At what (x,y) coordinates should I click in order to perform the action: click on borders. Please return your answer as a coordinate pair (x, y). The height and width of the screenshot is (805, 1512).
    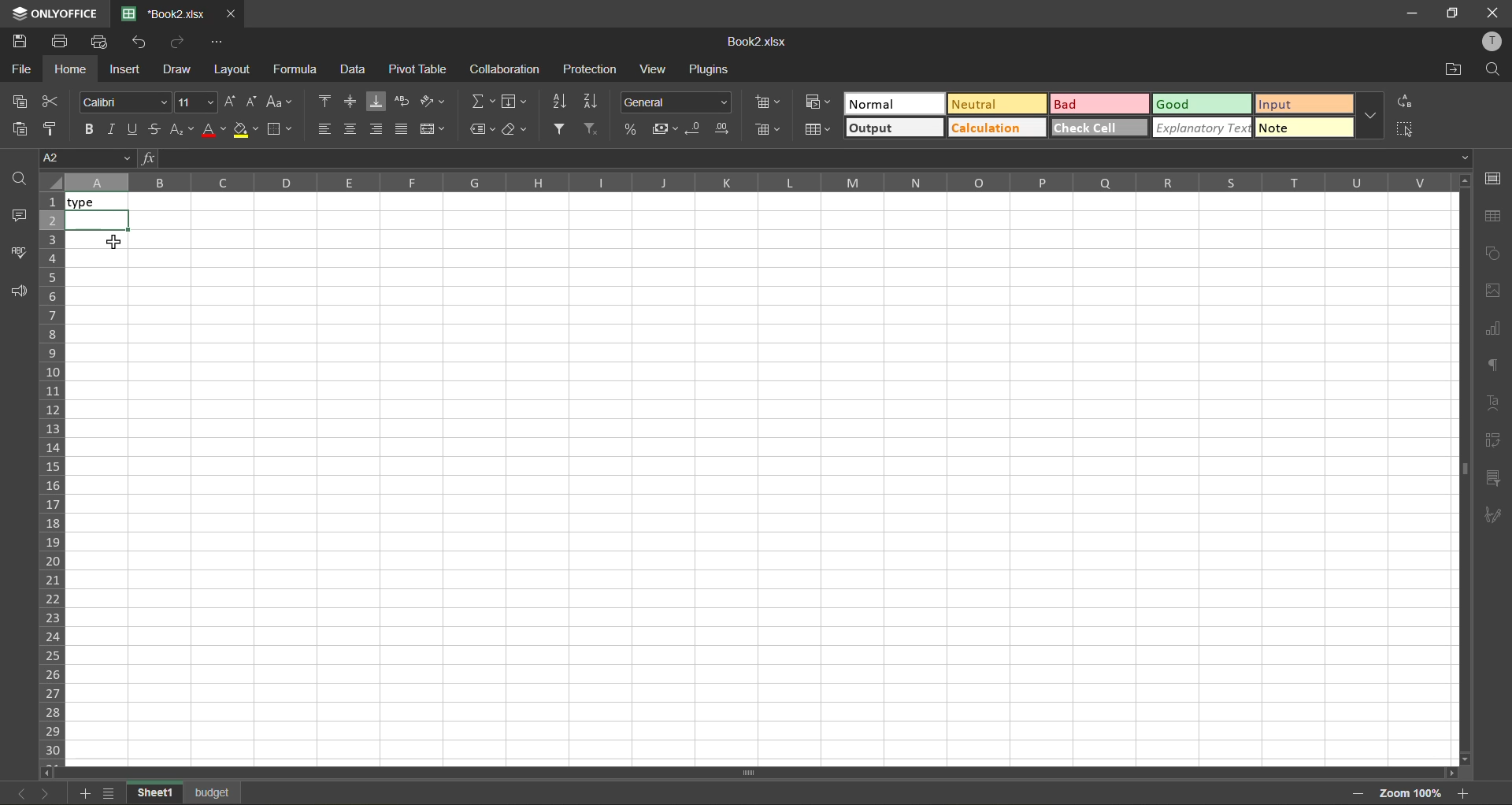
    Looking at the image, I should click on (279, 129).